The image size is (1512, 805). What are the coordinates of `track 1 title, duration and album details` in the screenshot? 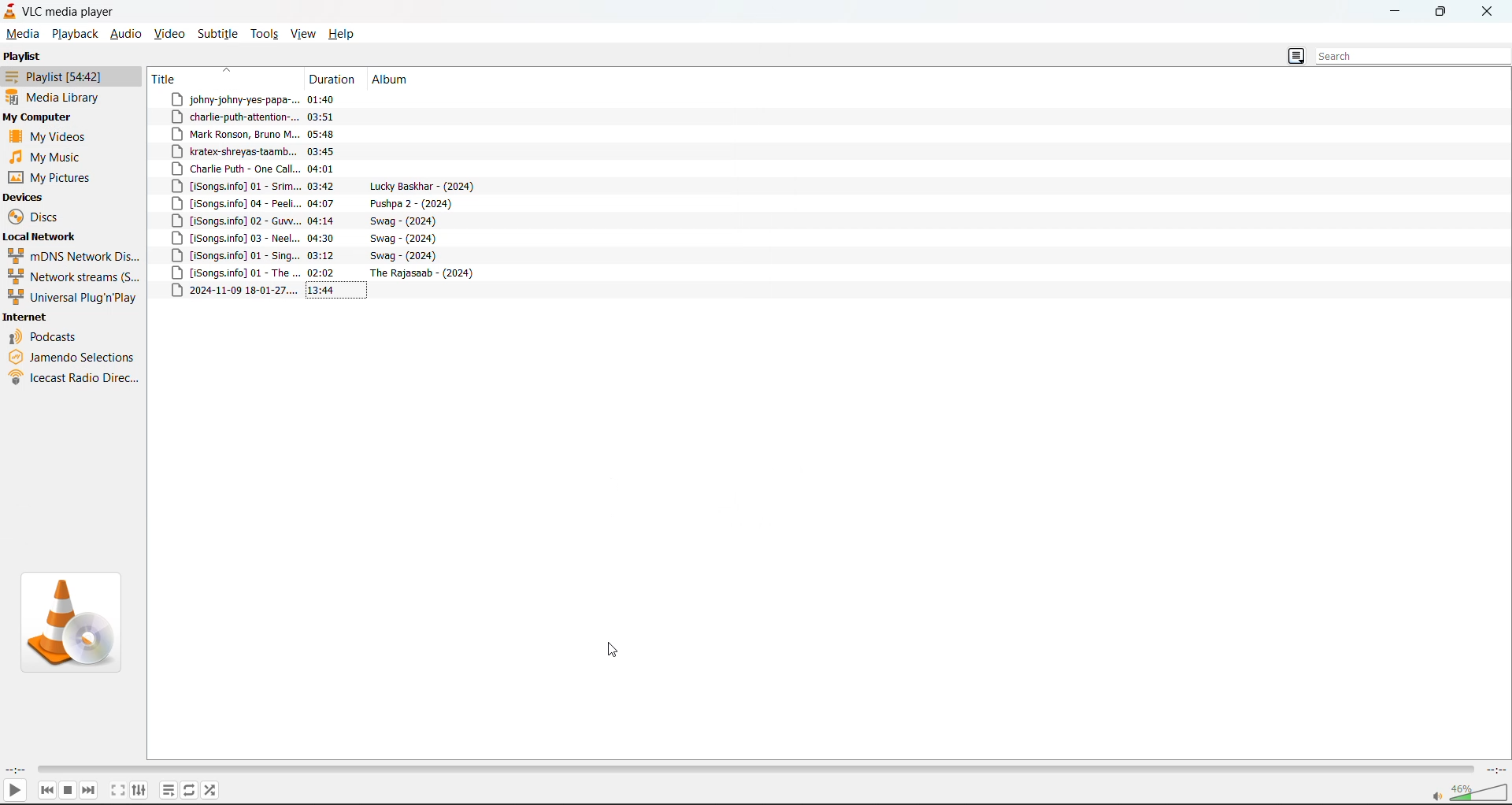 It's located at (291, 99).